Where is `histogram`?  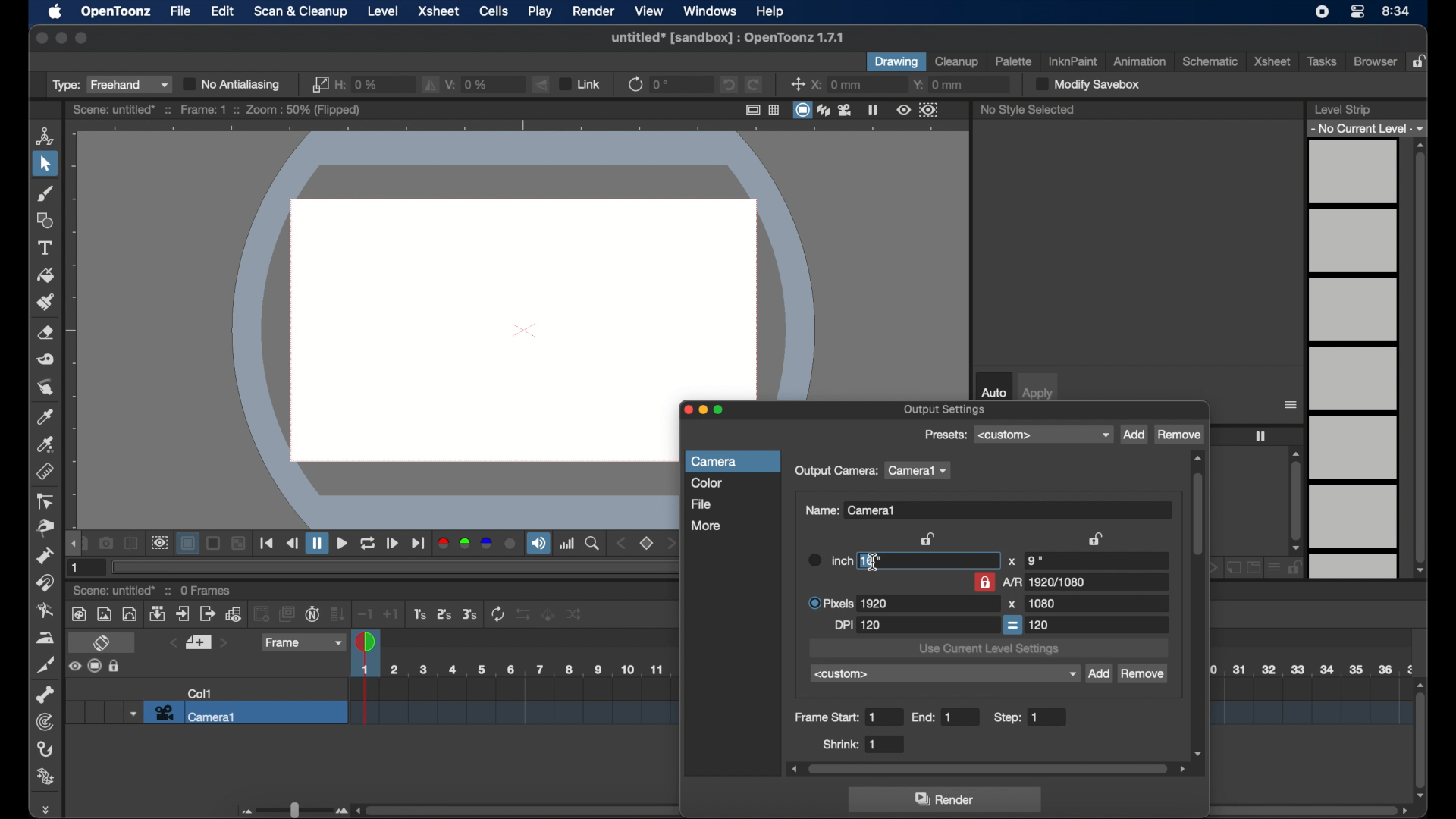 histogram is located at coordinates (567, 543).